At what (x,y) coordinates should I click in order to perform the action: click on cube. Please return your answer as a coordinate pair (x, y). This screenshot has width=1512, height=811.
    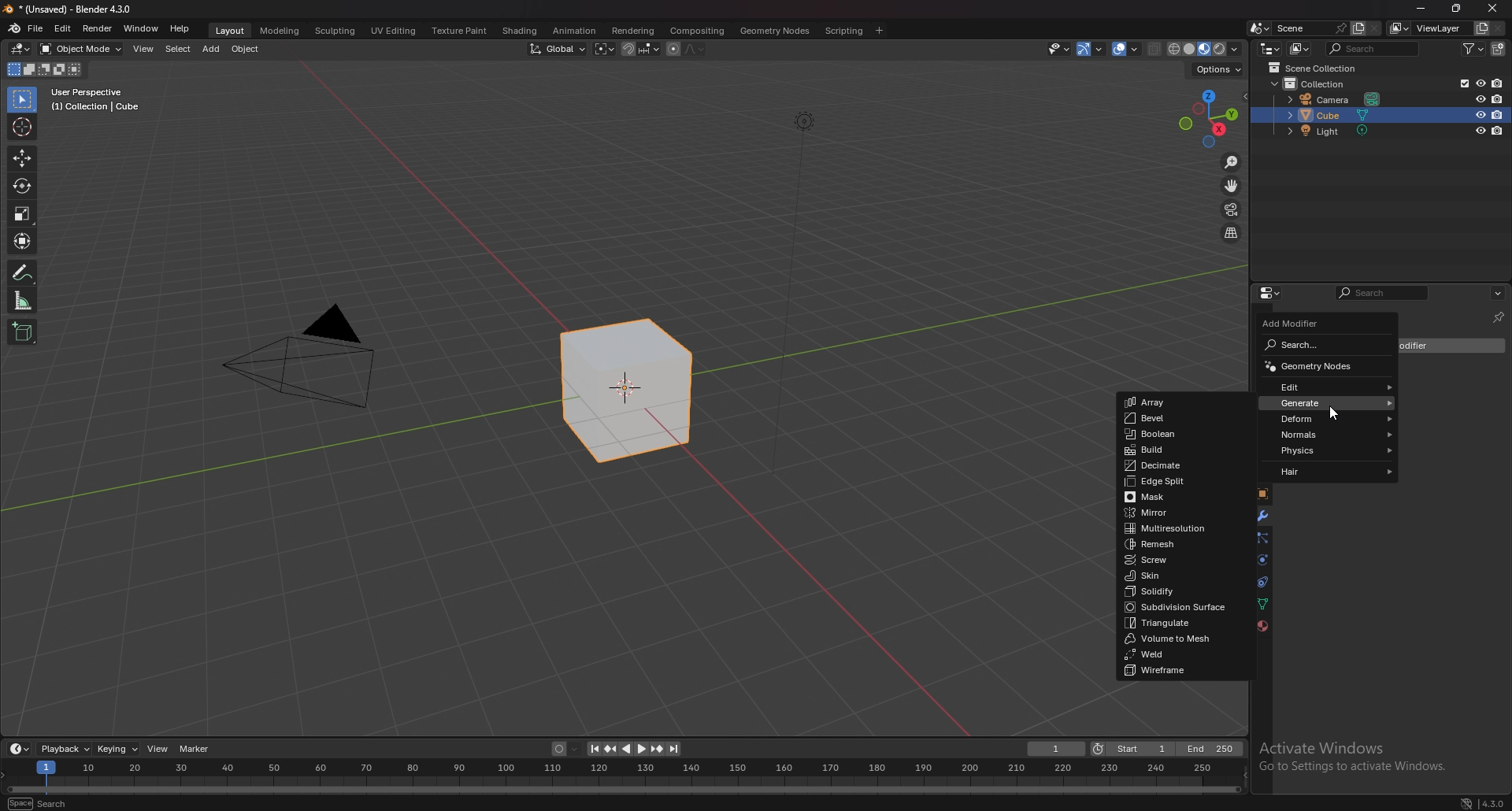
    Looking at the image, I should click on (1345, 115).